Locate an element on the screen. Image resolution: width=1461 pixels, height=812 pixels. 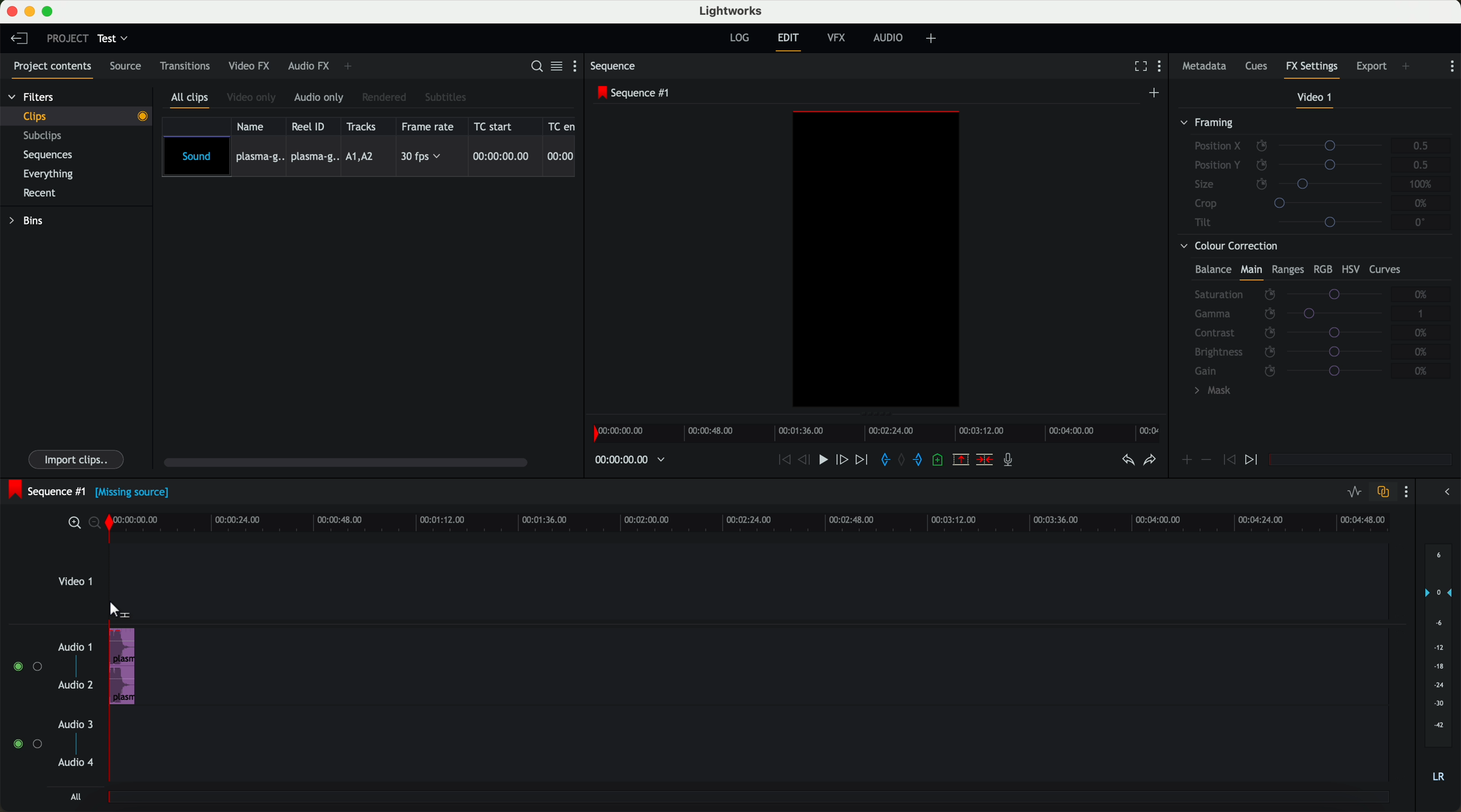
minimize is located at coordinates (29, 12).